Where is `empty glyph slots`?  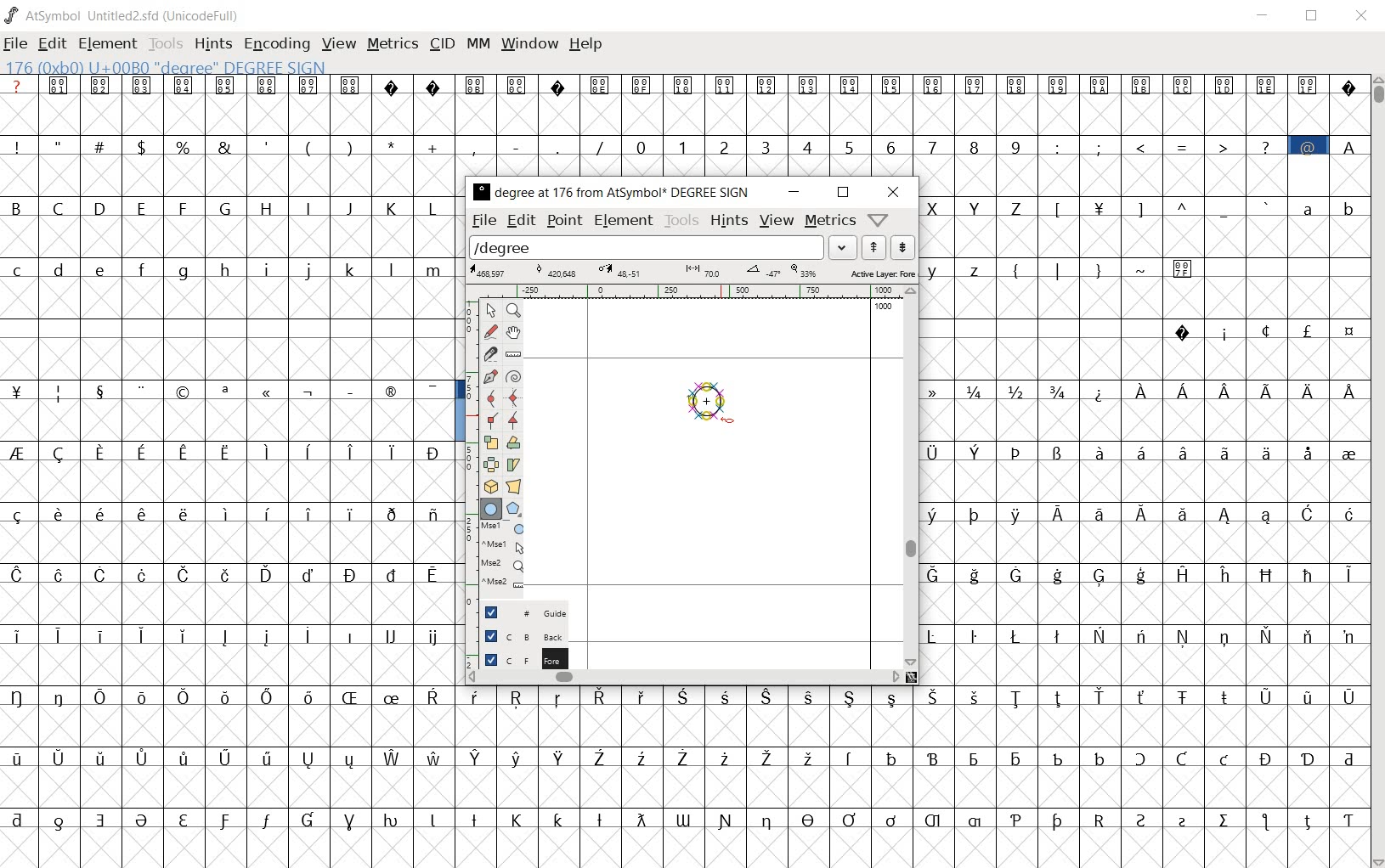
empty glyph slots is located at coordinates (1142, 300).